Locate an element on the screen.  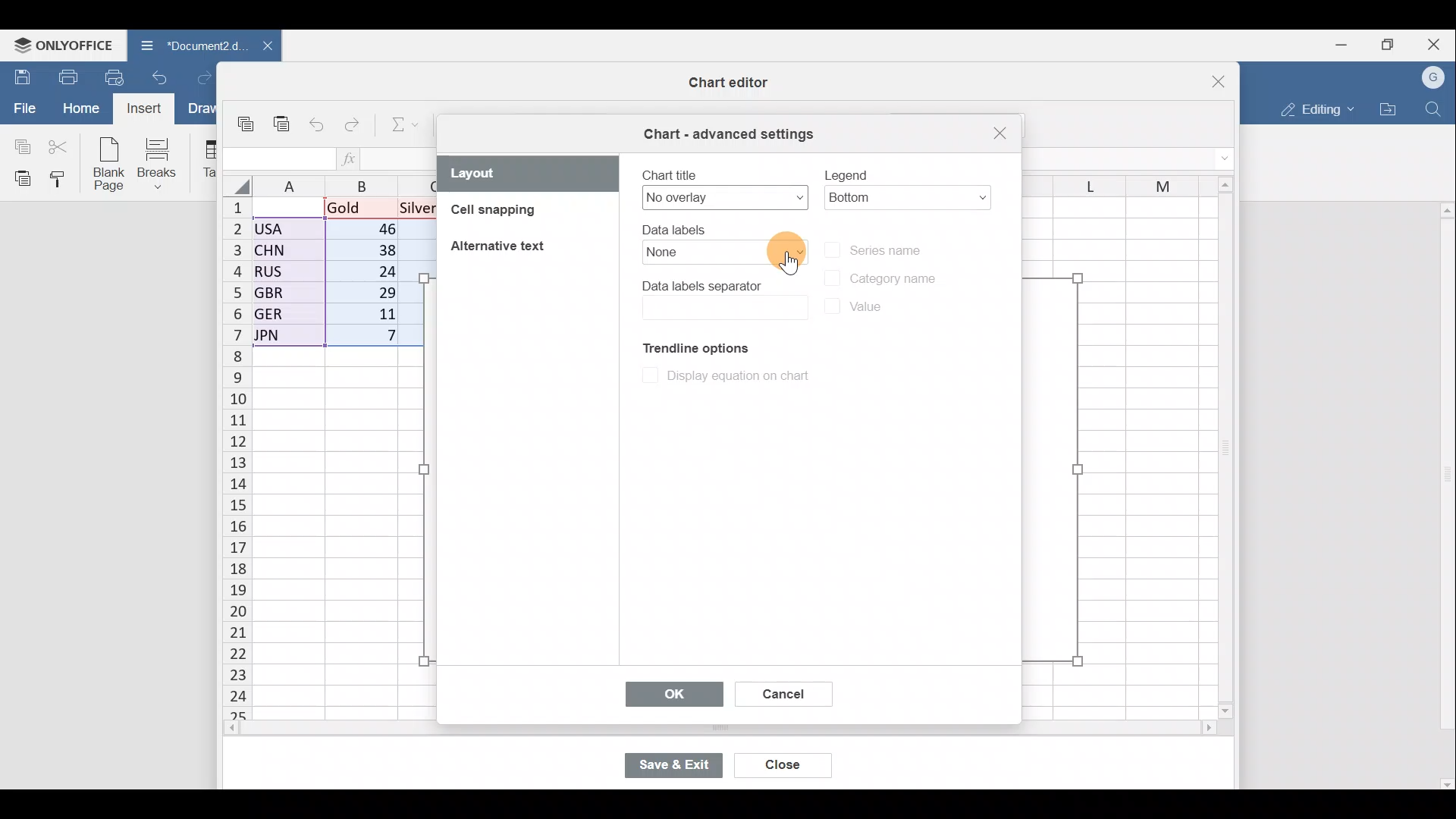
Insert function is located at coordinates (359, 158).